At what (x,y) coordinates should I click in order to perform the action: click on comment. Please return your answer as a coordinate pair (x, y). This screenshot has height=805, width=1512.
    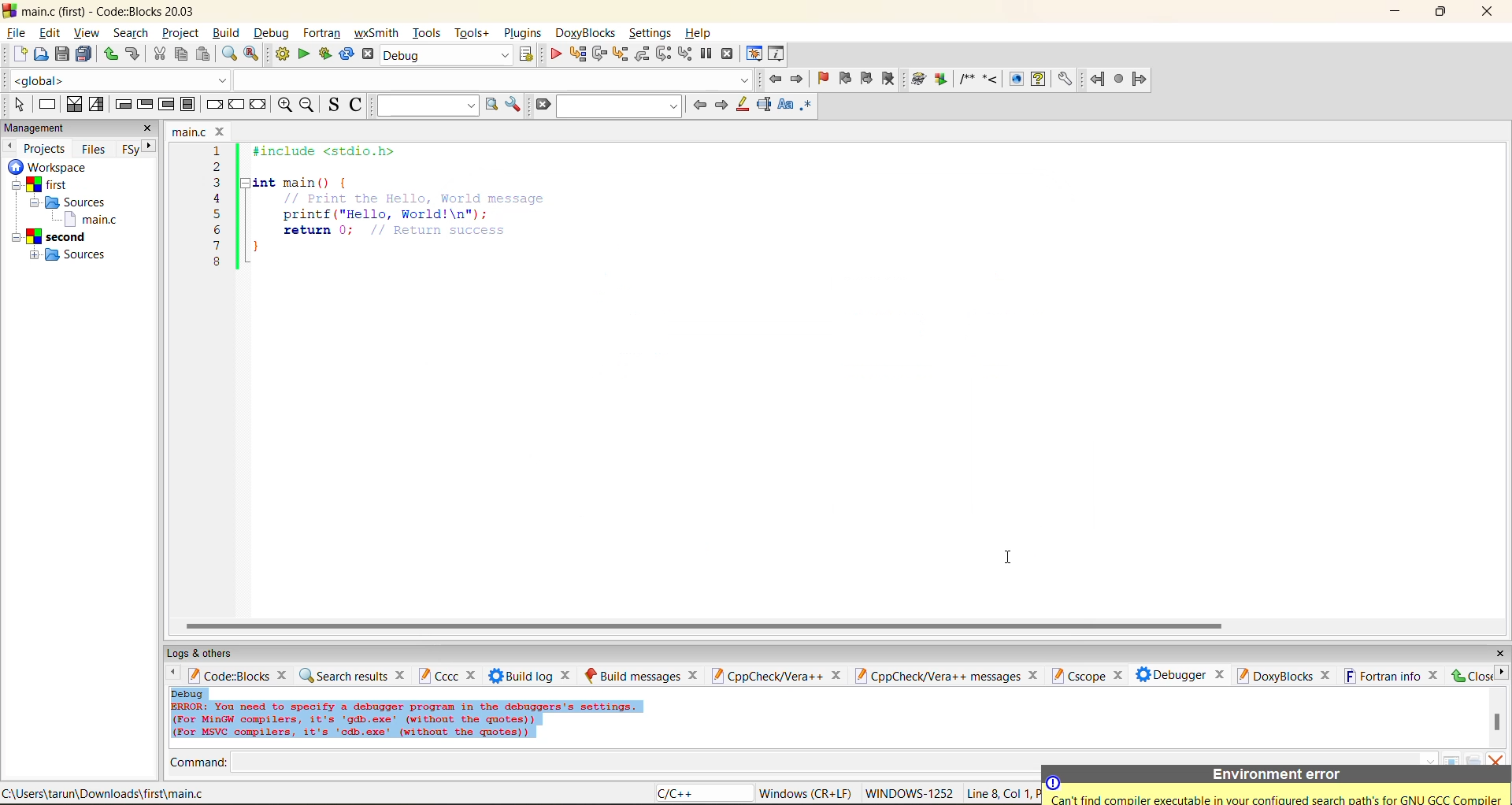
    Looking at the image, I should click on (966, 79).